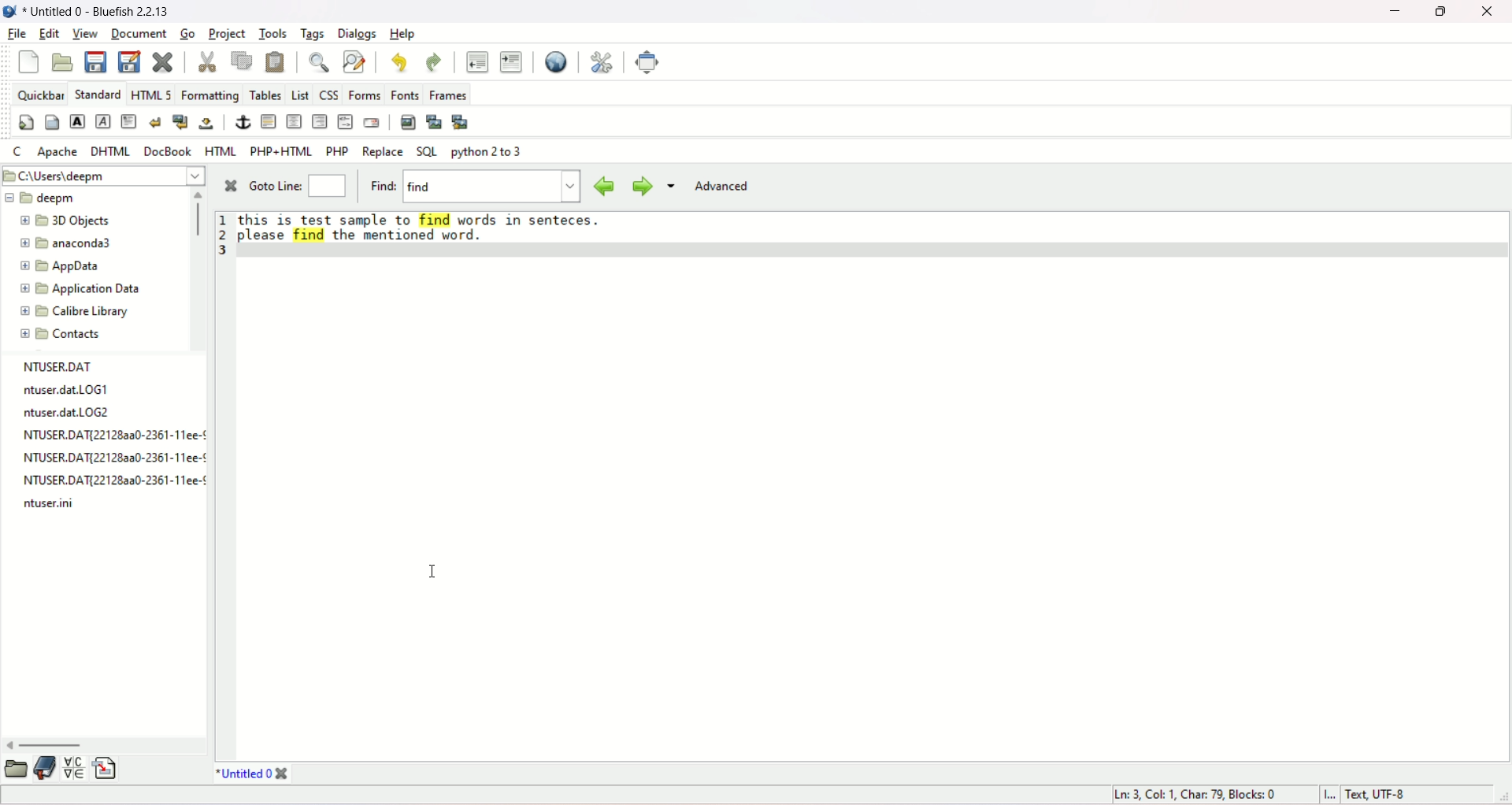 The image size is (1512, 805). Describe the element at coordinates (18, 150) in the screenshot. I see `C` at that location.